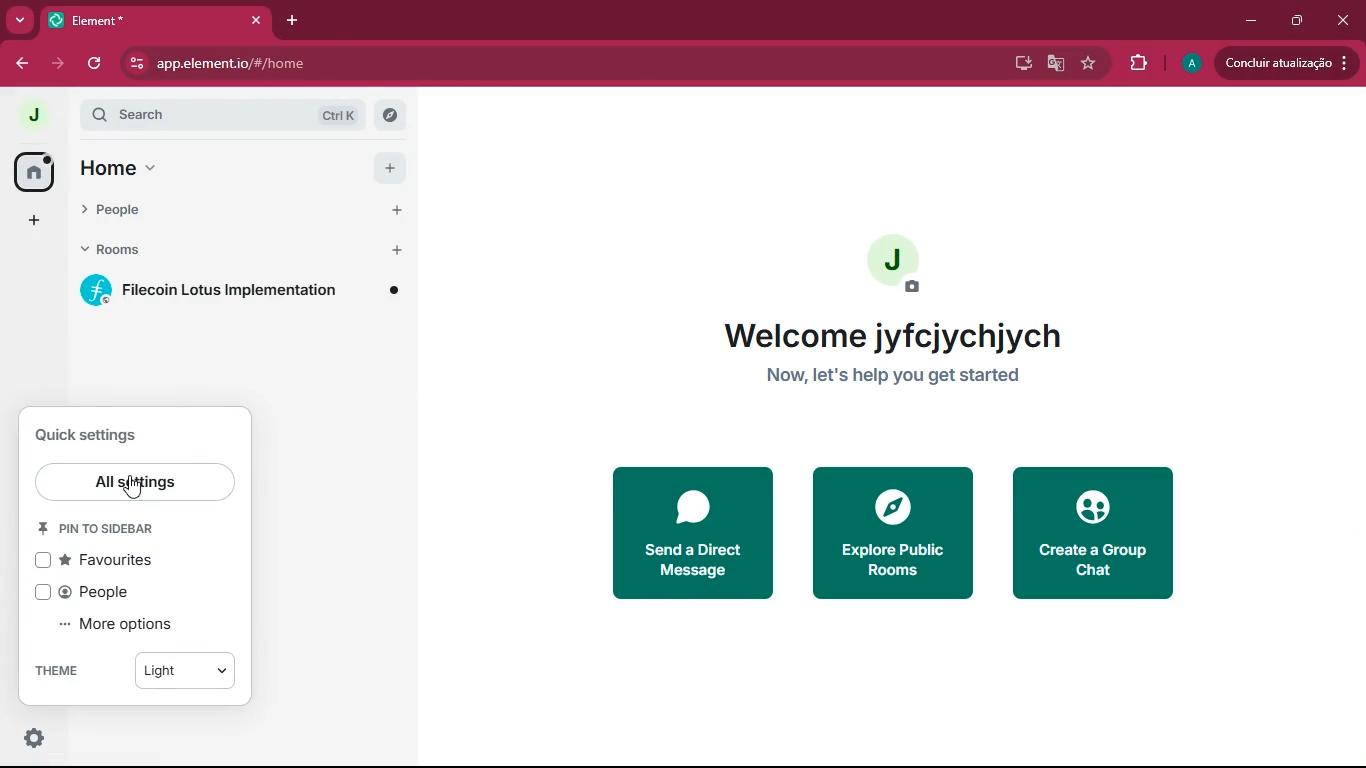 Image resolution: width=1366 pixels, height=768 pixels. Describe the element at coordinates (389, 168) in the screenshot. I see `add` at that location.